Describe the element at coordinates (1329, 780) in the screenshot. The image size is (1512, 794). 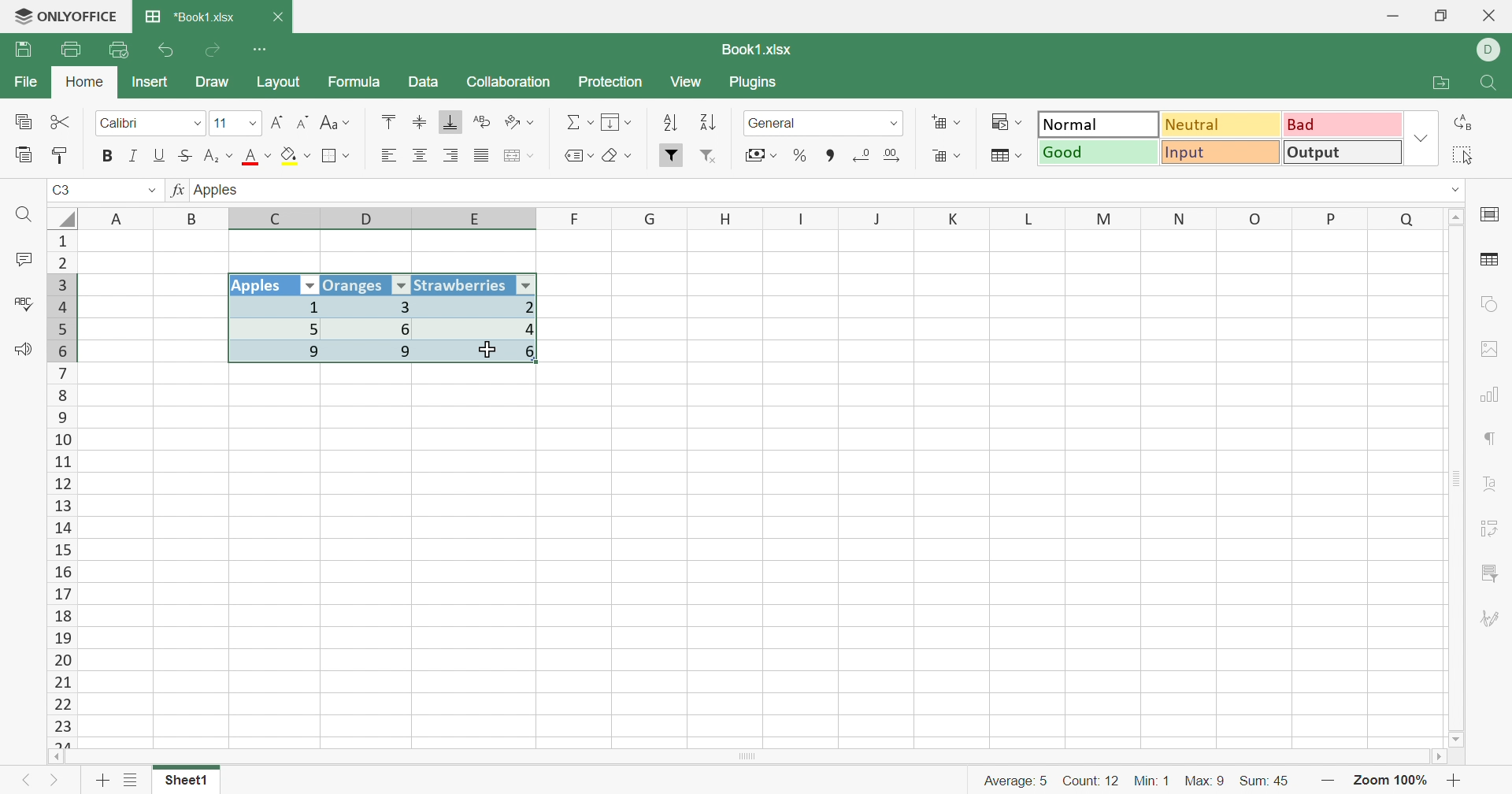
I see `Zoom out` at that location.